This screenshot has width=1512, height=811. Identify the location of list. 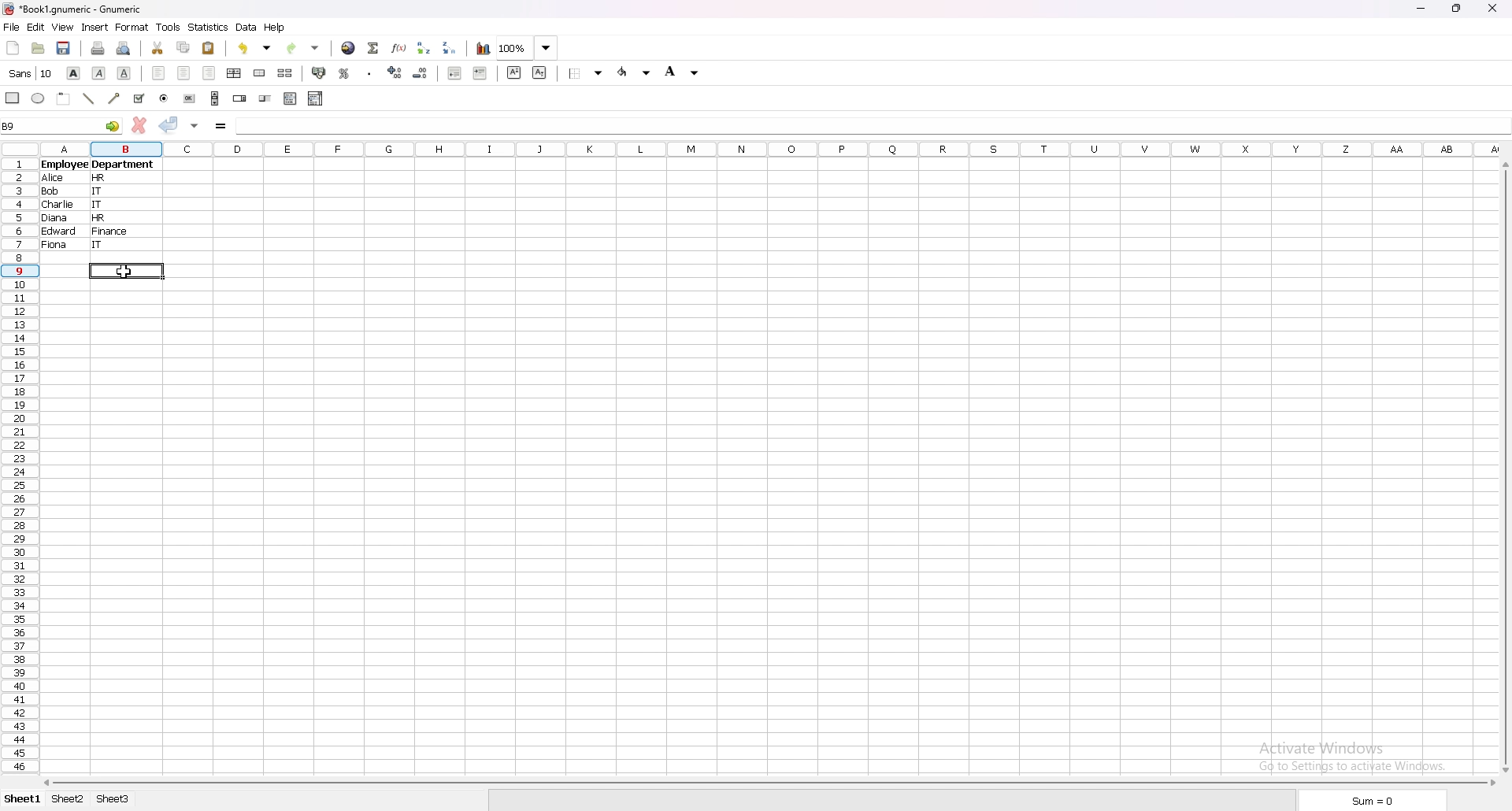
(291, 98).